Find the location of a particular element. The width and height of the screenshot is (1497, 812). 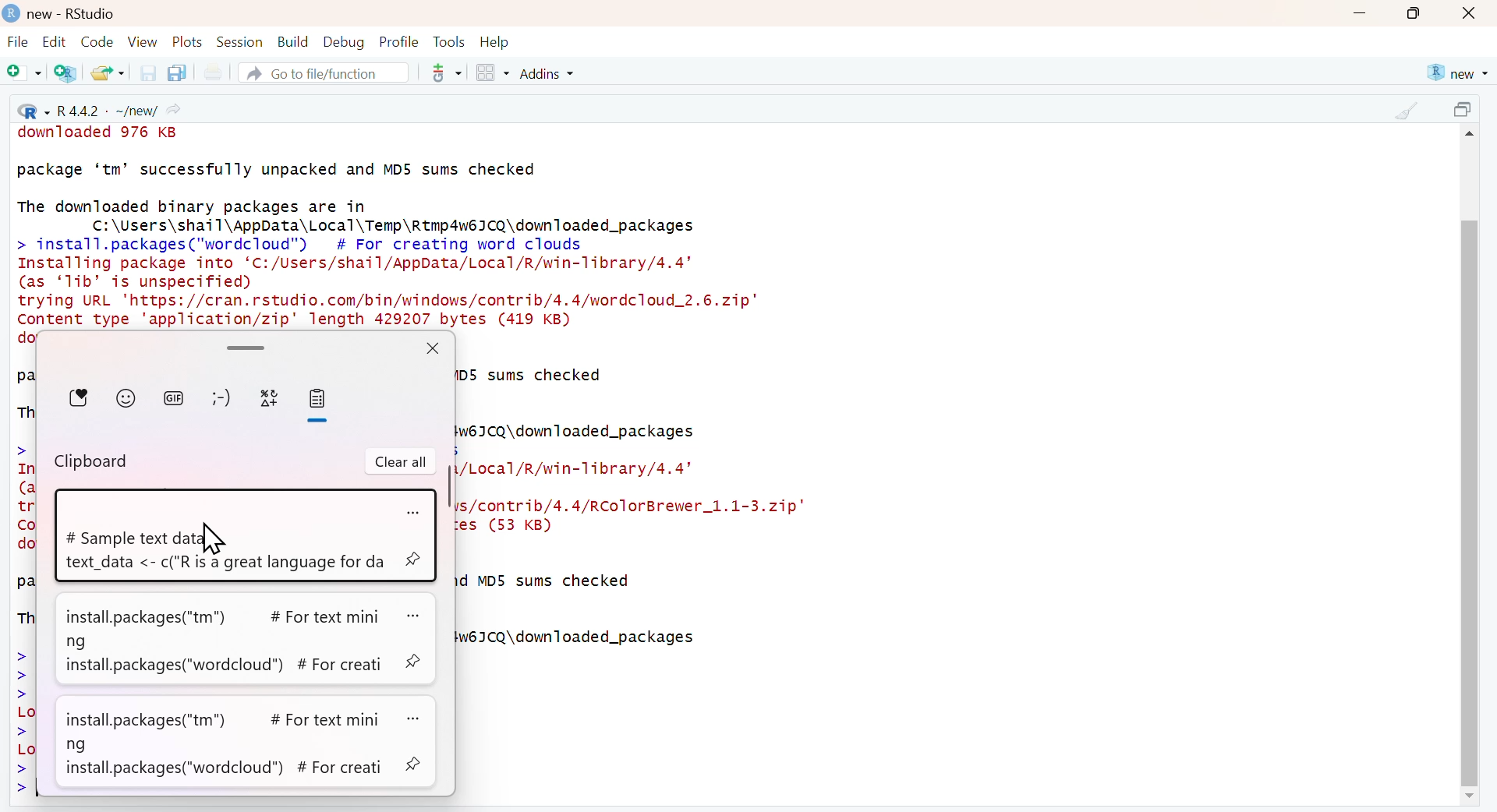

Addins is located at coordinates (548, 74).